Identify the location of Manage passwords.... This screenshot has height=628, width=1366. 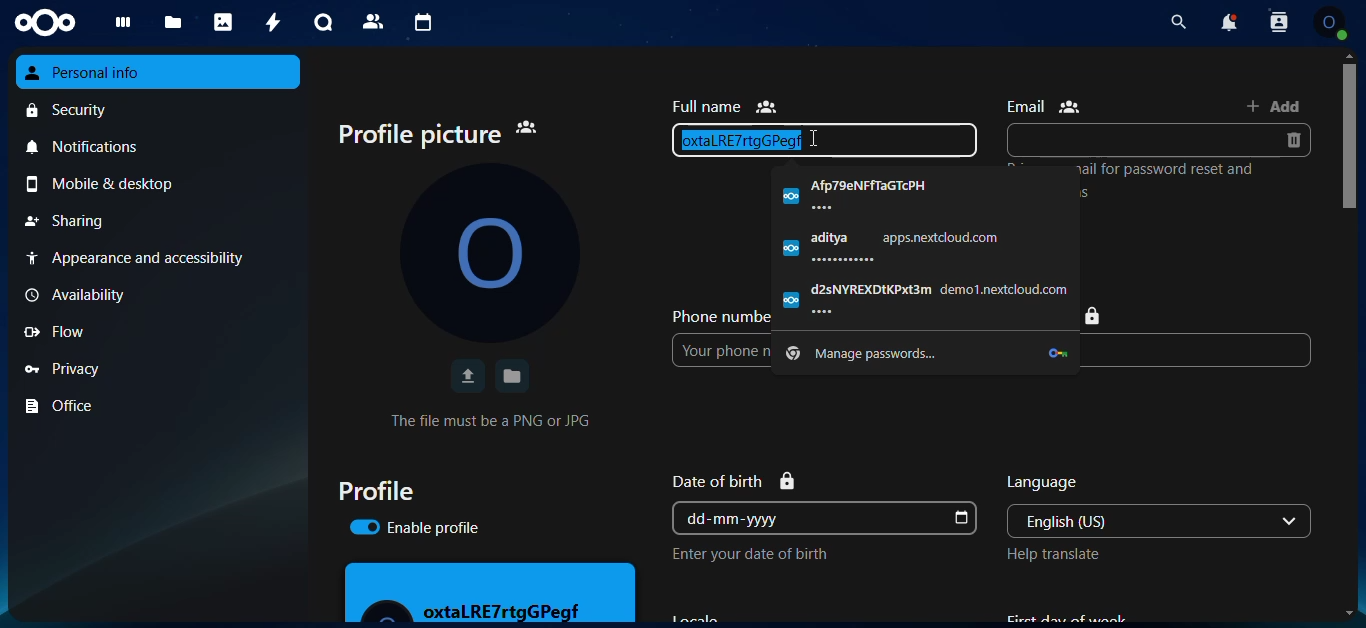
(925, 354).